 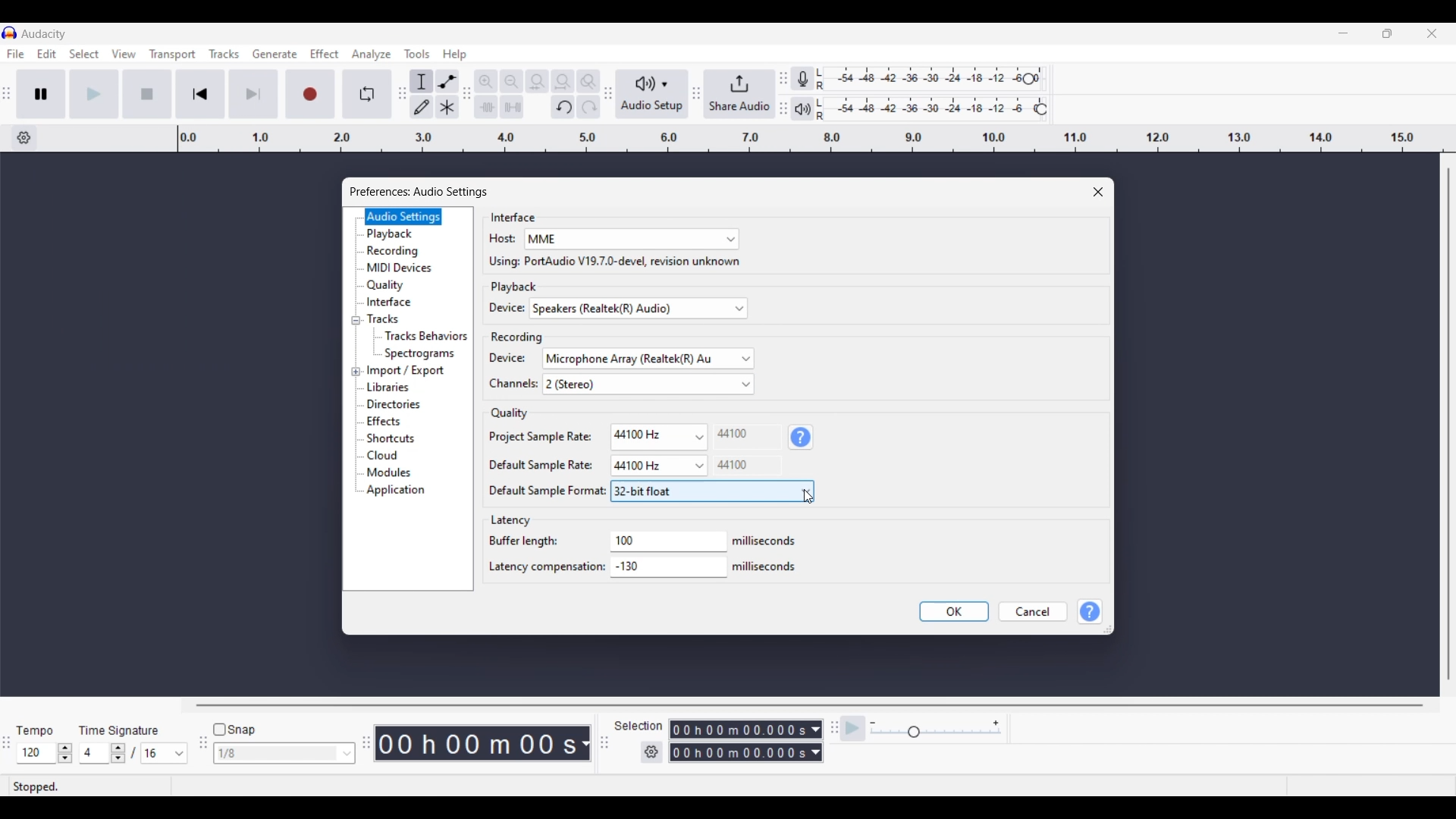 I want to click on Channels options, so click(x=648, y=384).